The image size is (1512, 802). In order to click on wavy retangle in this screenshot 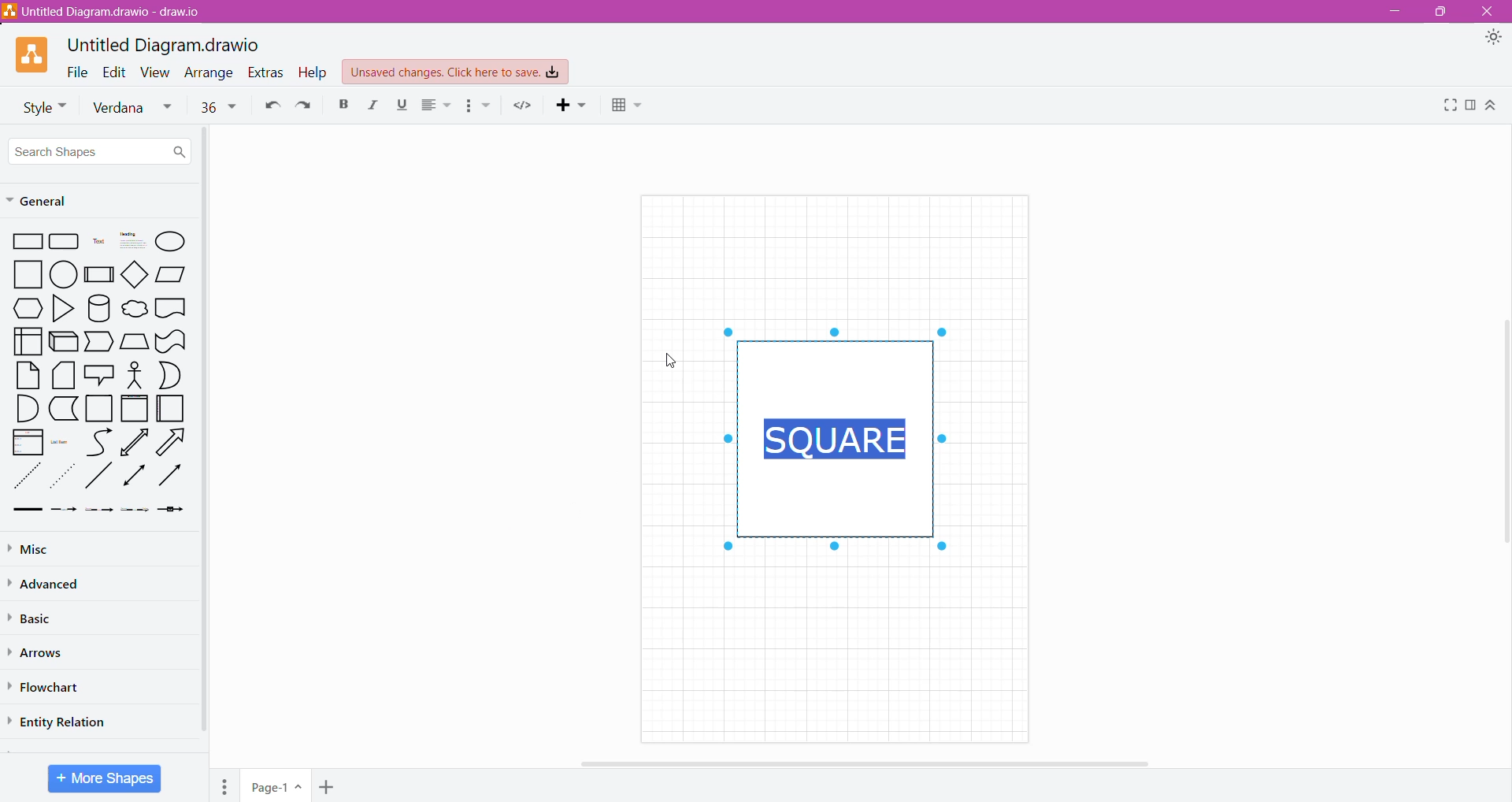, I will do `click(172, 340)`.